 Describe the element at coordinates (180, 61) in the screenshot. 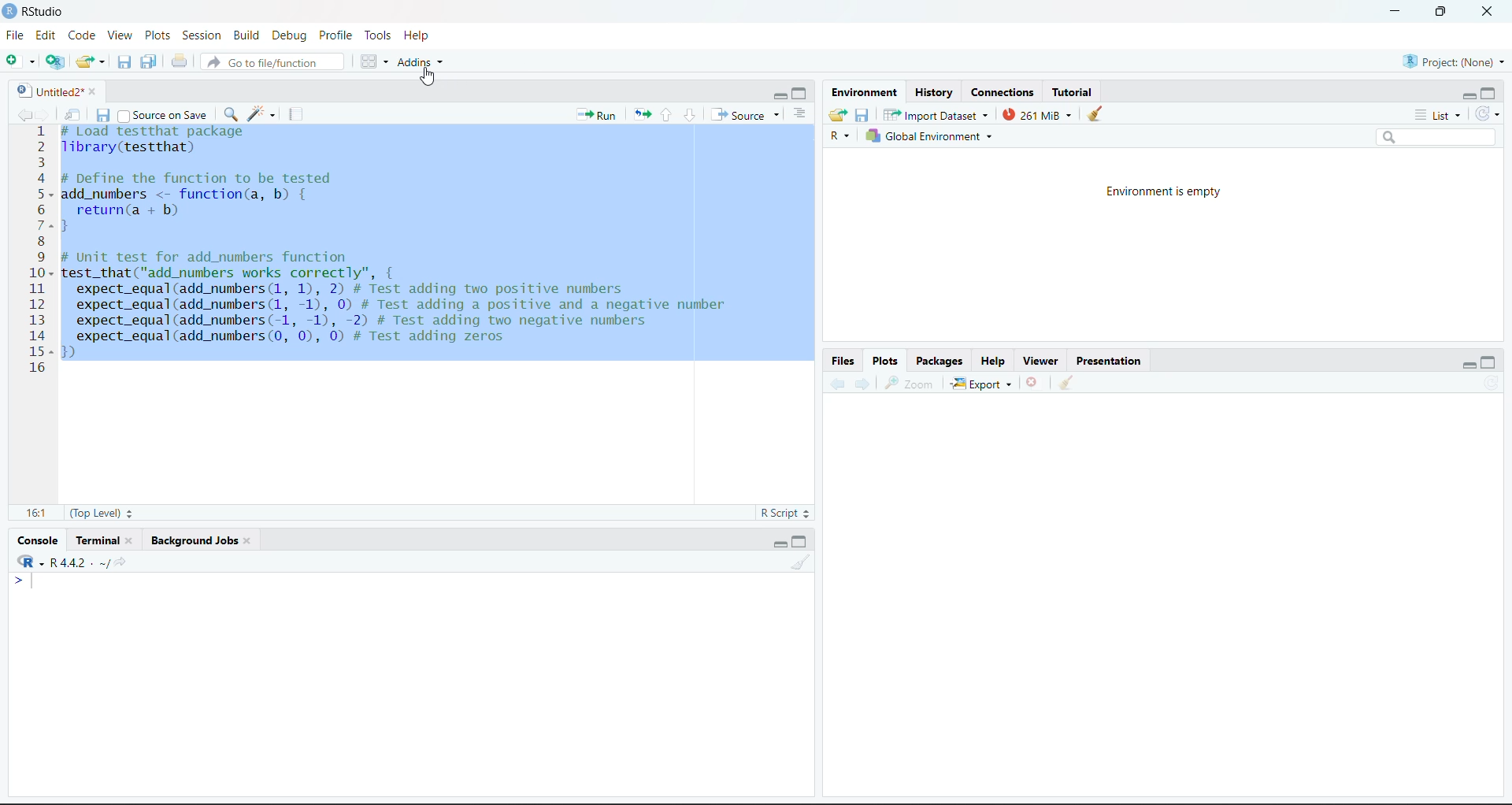

I see `Print` at that location.